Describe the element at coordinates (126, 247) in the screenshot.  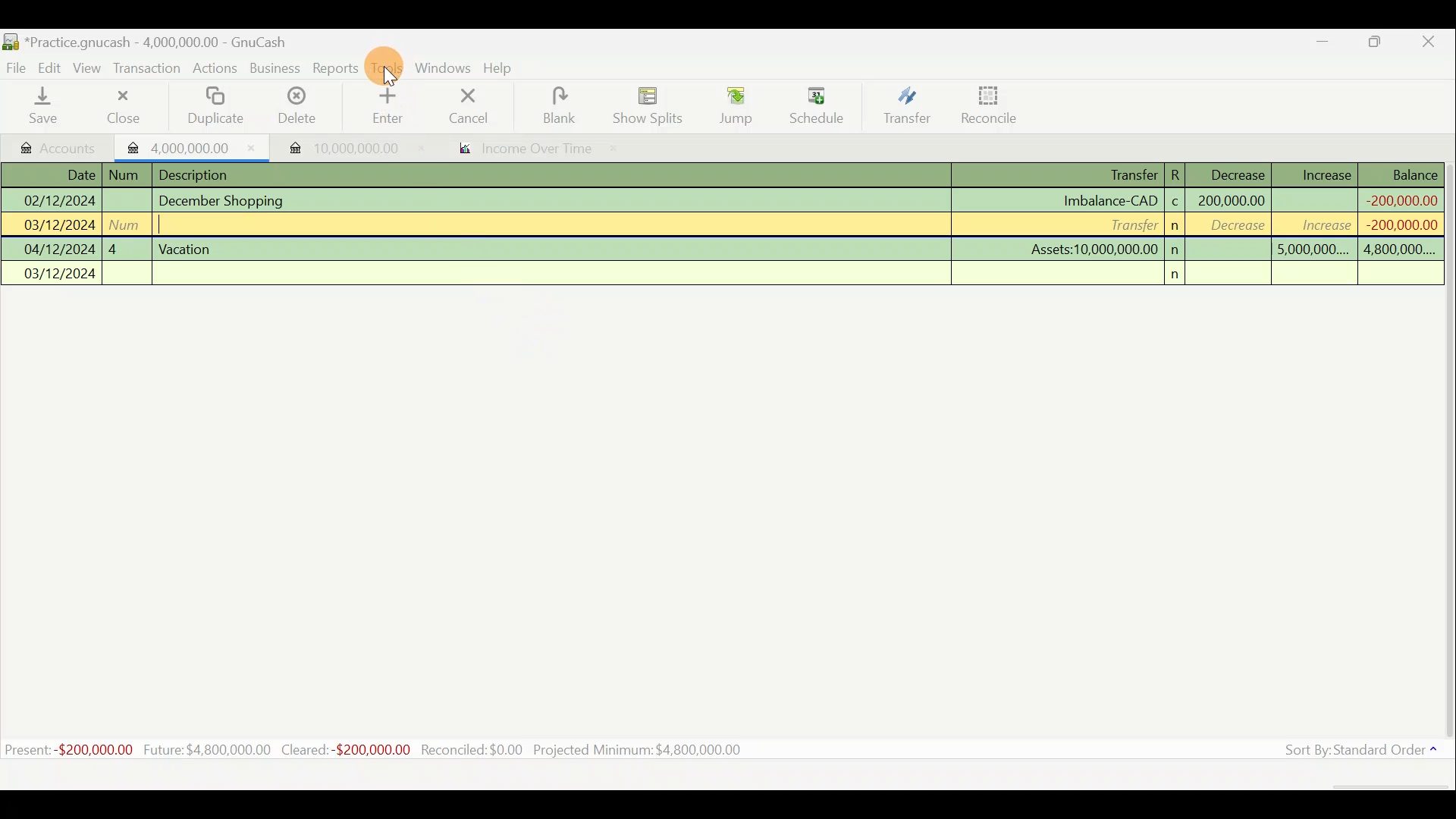
I see `4` at that location.